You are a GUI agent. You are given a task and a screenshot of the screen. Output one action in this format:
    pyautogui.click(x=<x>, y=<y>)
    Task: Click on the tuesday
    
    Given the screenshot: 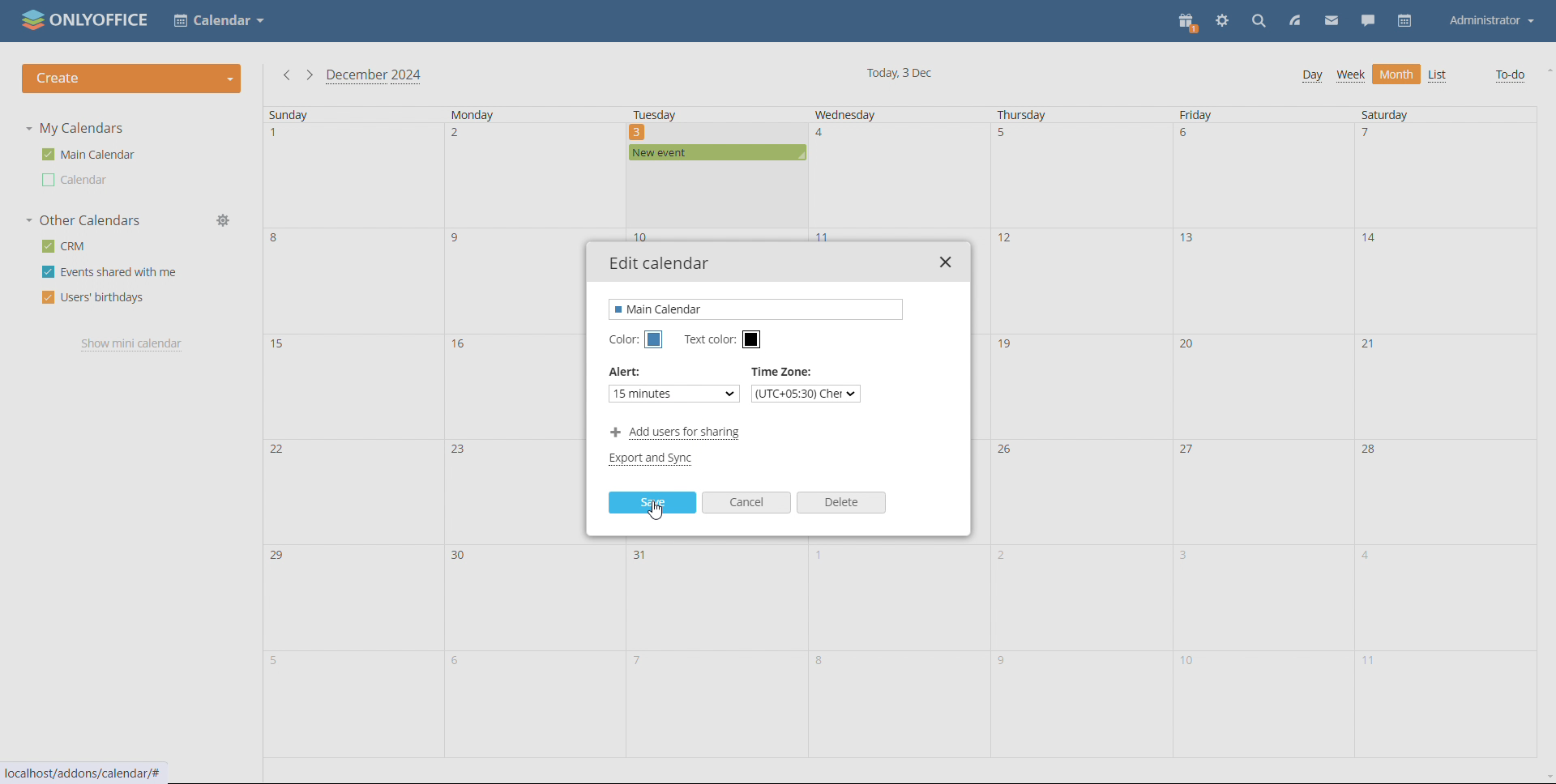 What is the action you would take?
    pyautogui.click(x=695, y=114)
    